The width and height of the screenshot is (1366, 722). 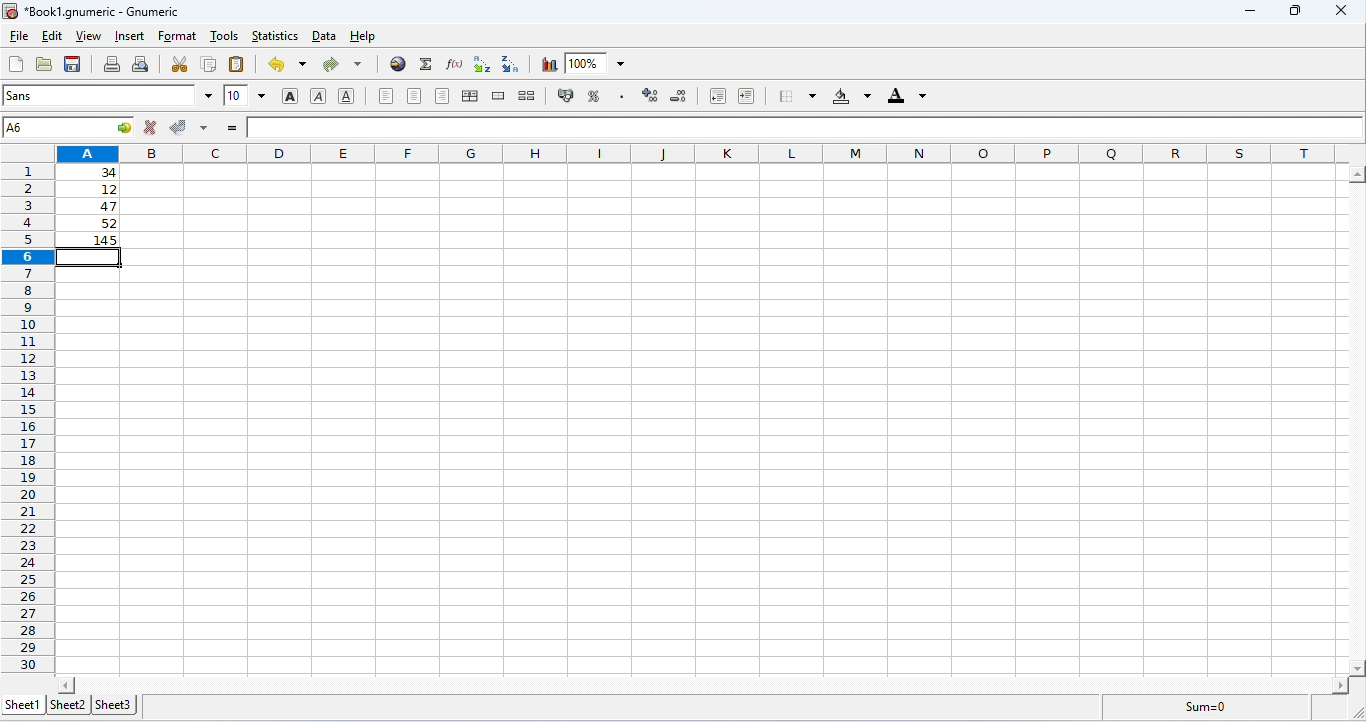 What do you see at coordinates (238, 64) in the screenshot?
I see `paste` at bounding box center [238, 64].